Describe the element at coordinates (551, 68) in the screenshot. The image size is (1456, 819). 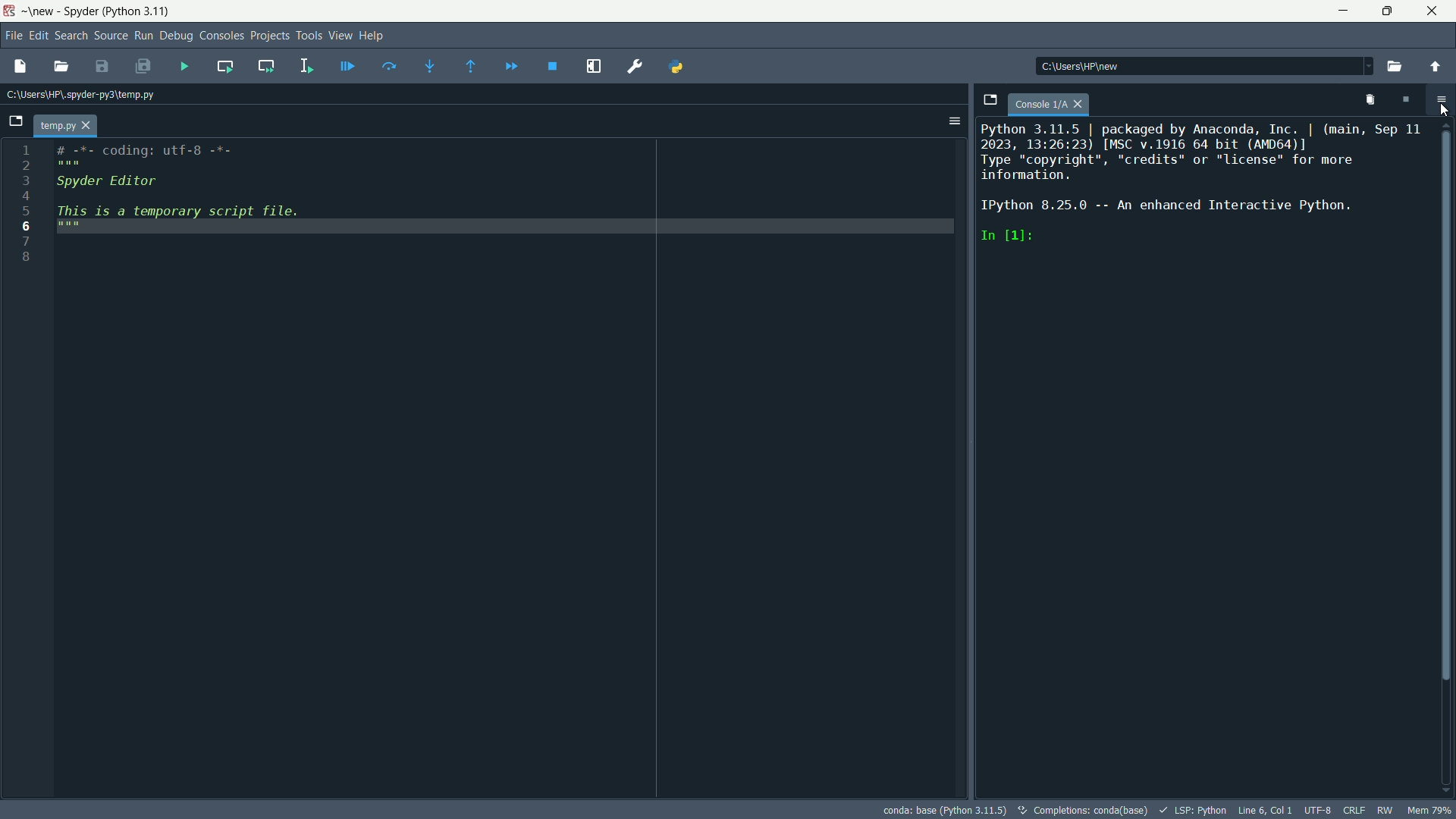
I see `stop debugging` at that location.